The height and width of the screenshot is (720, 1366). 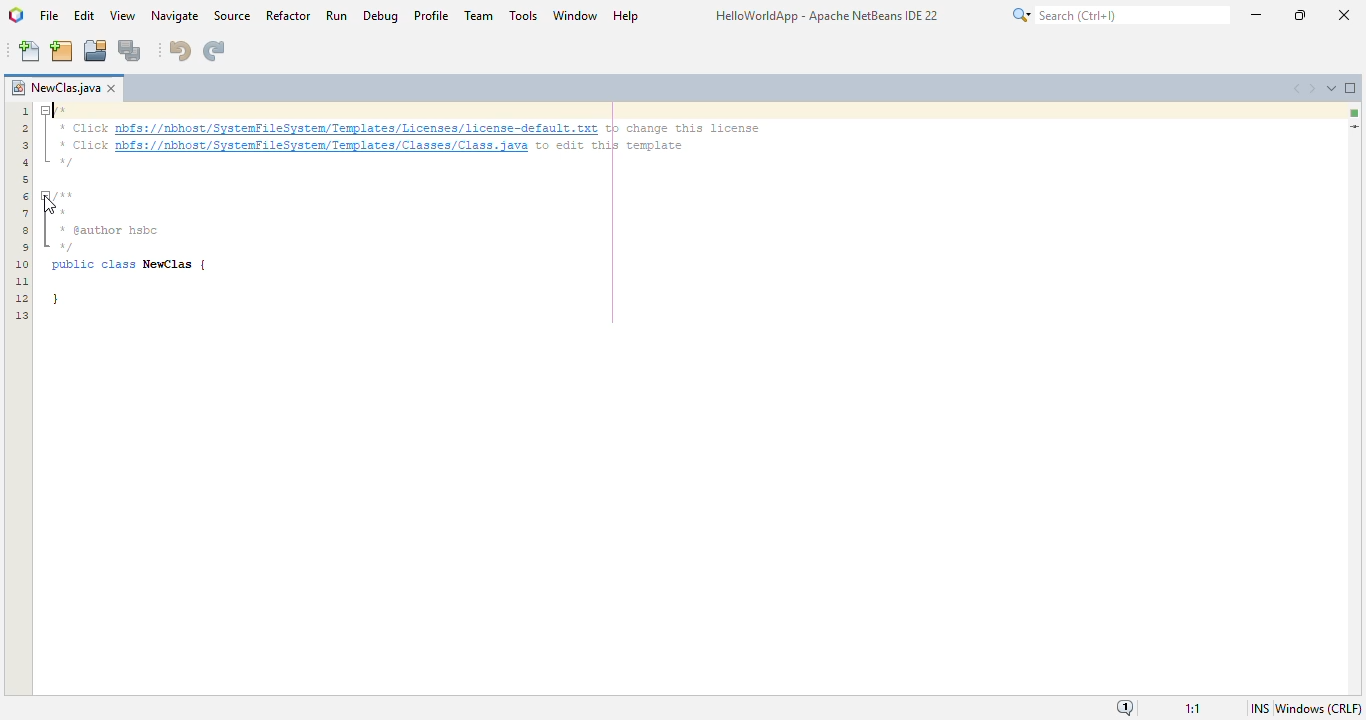 What do you see at coordinates (1355, 113) in the screenshot?
I see `no errors` at bounding box center [1355, 113].